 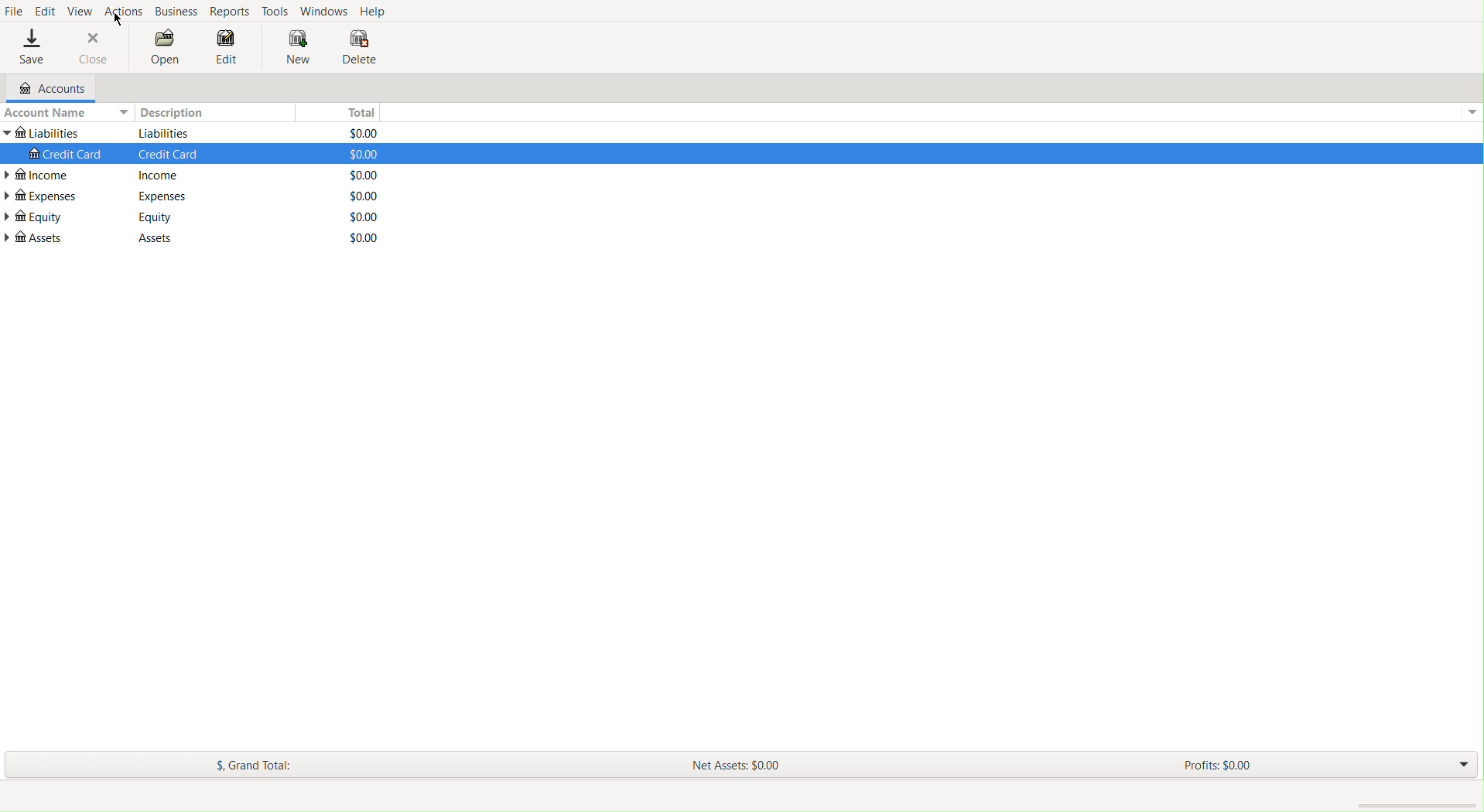 I want to click on Description, so click(x=163, y=196).